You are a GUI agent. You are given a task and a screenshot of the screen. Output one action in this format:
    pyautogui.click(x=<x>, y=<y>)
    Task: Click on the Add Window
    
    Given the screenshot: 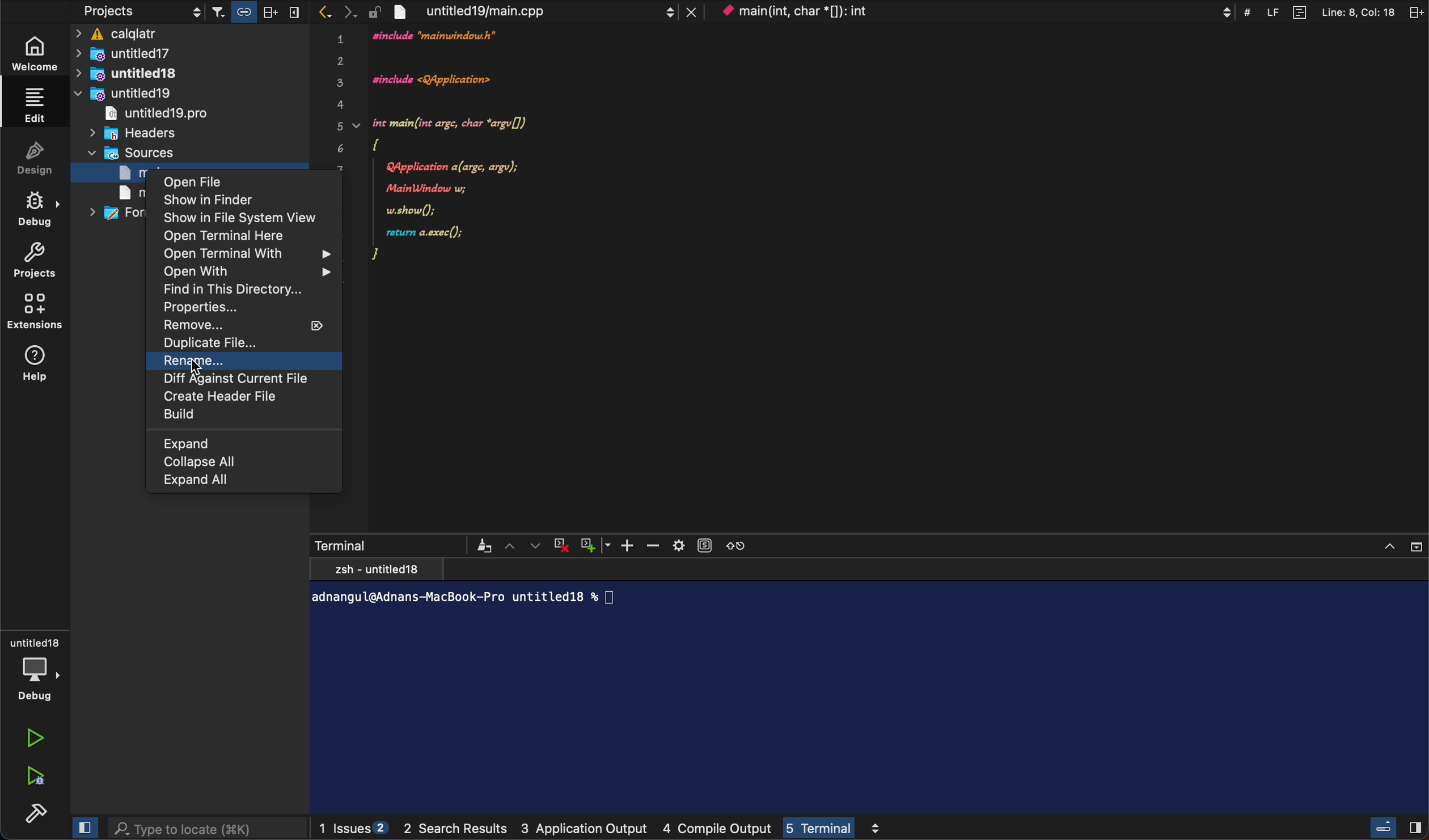 What is the action you would take?
    pyautogui.click(x=587, y=544)
    